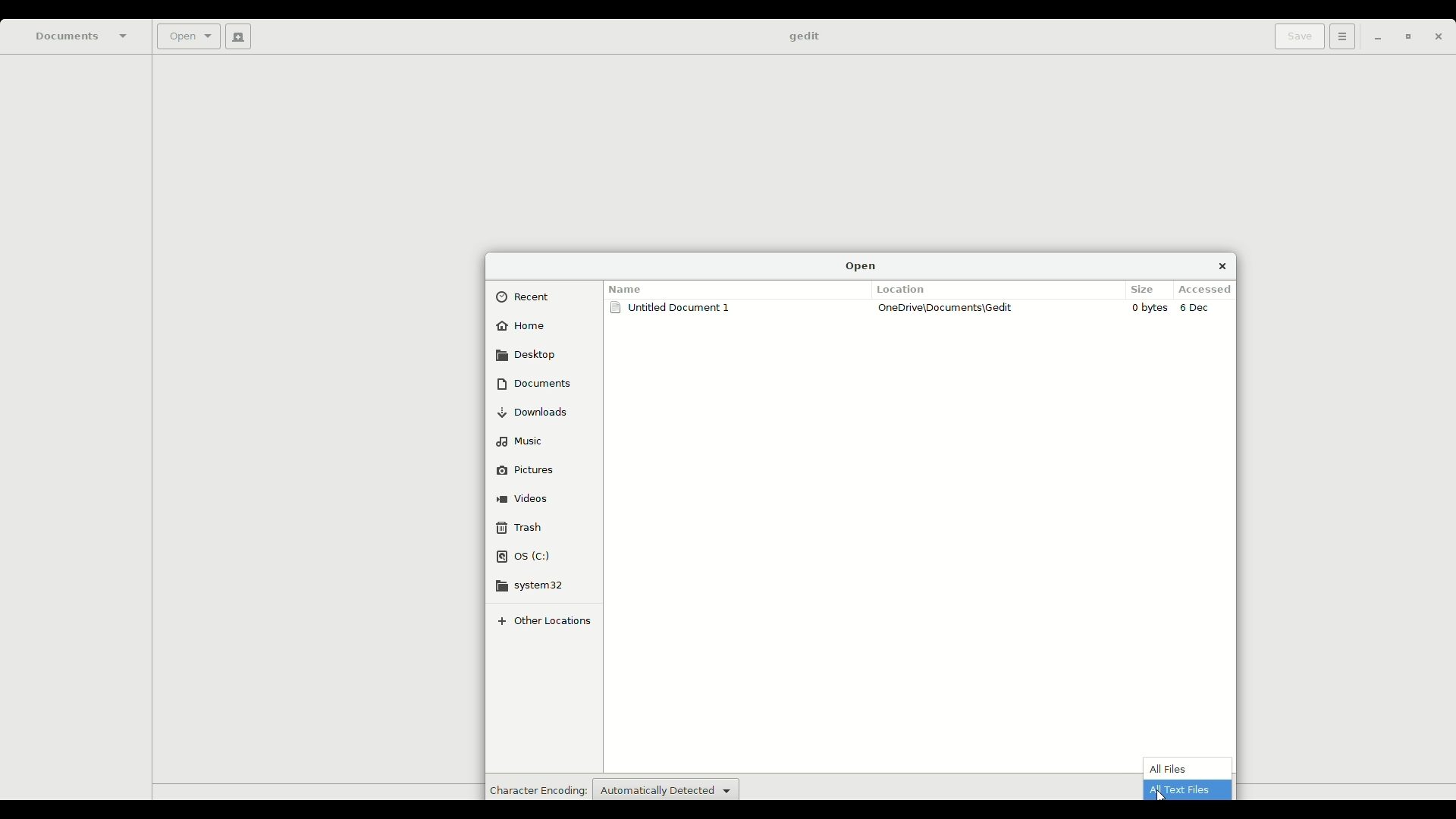  What do you see at coordinates (1200, 309) in the screenshot?
I see `6 Dec` at bounding box center [1200, 309].